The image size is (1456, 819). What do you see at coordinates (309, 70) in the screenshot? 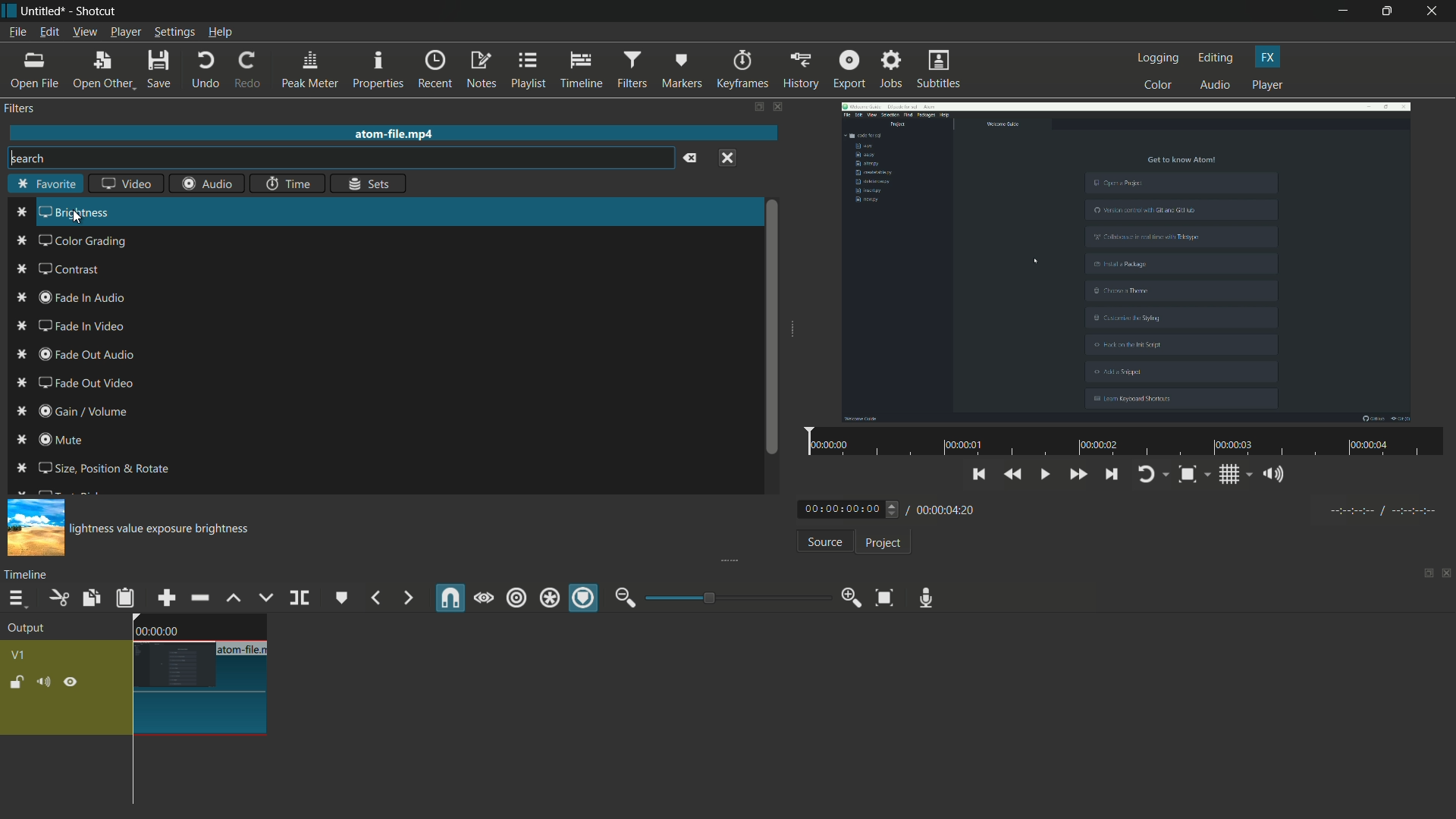
I see `peak meter` at bounding box center [309, 70].